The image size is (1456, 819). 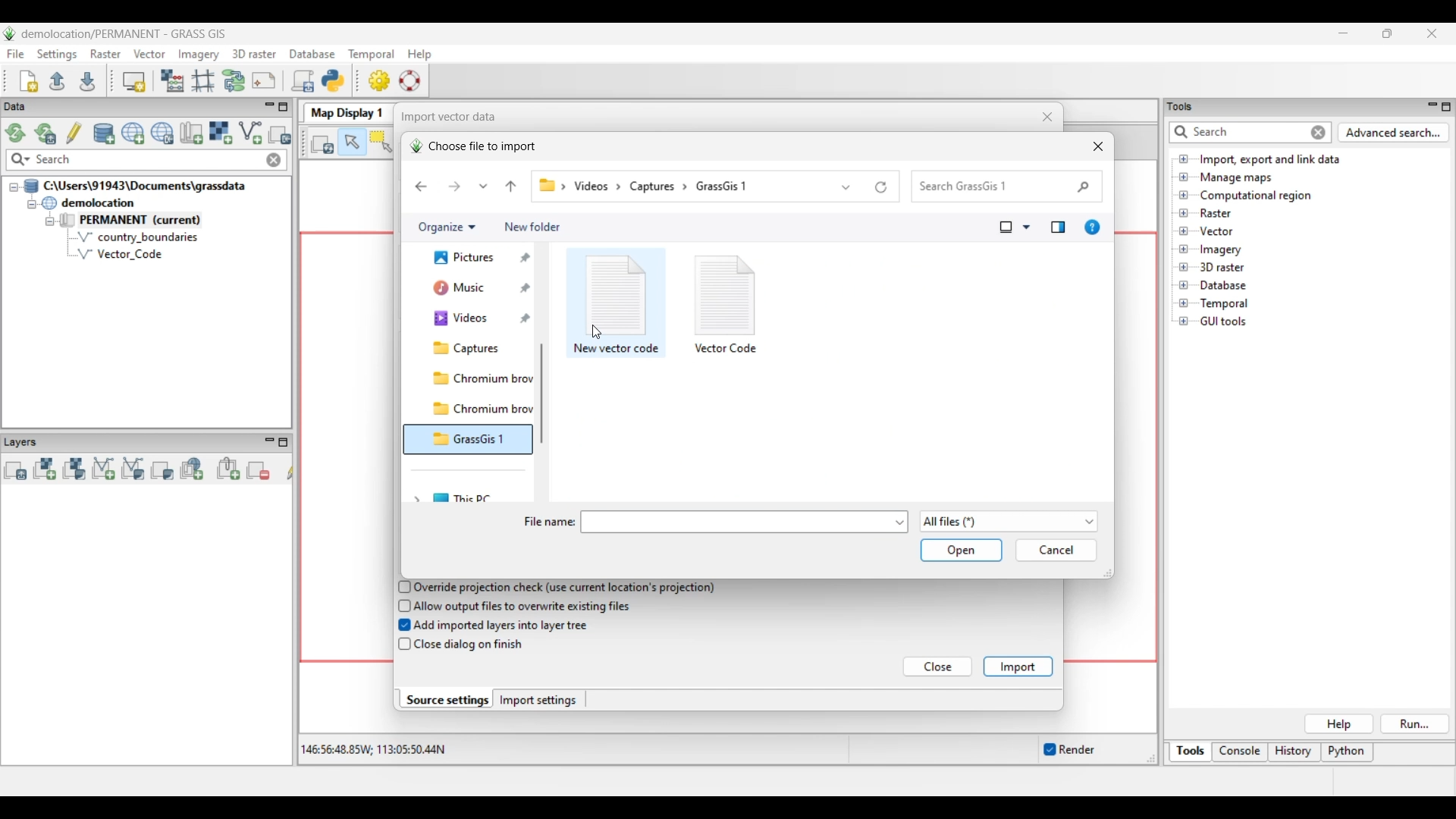 I want to click on Click to open GUI tools, so click(x=1184, y=322).